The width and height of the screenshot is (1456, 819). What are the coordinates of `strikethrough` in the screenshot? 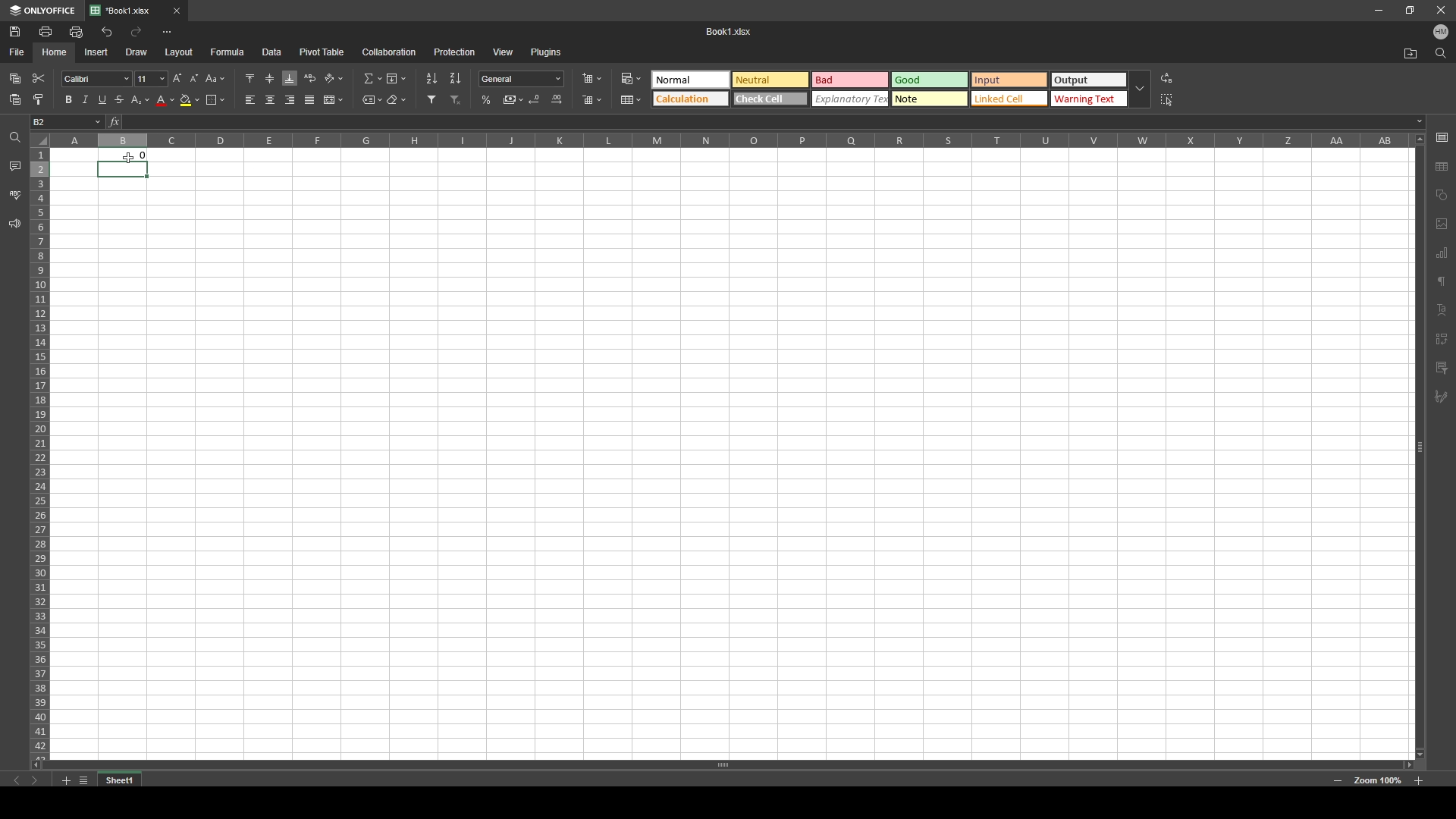 It's located at (120, 99).